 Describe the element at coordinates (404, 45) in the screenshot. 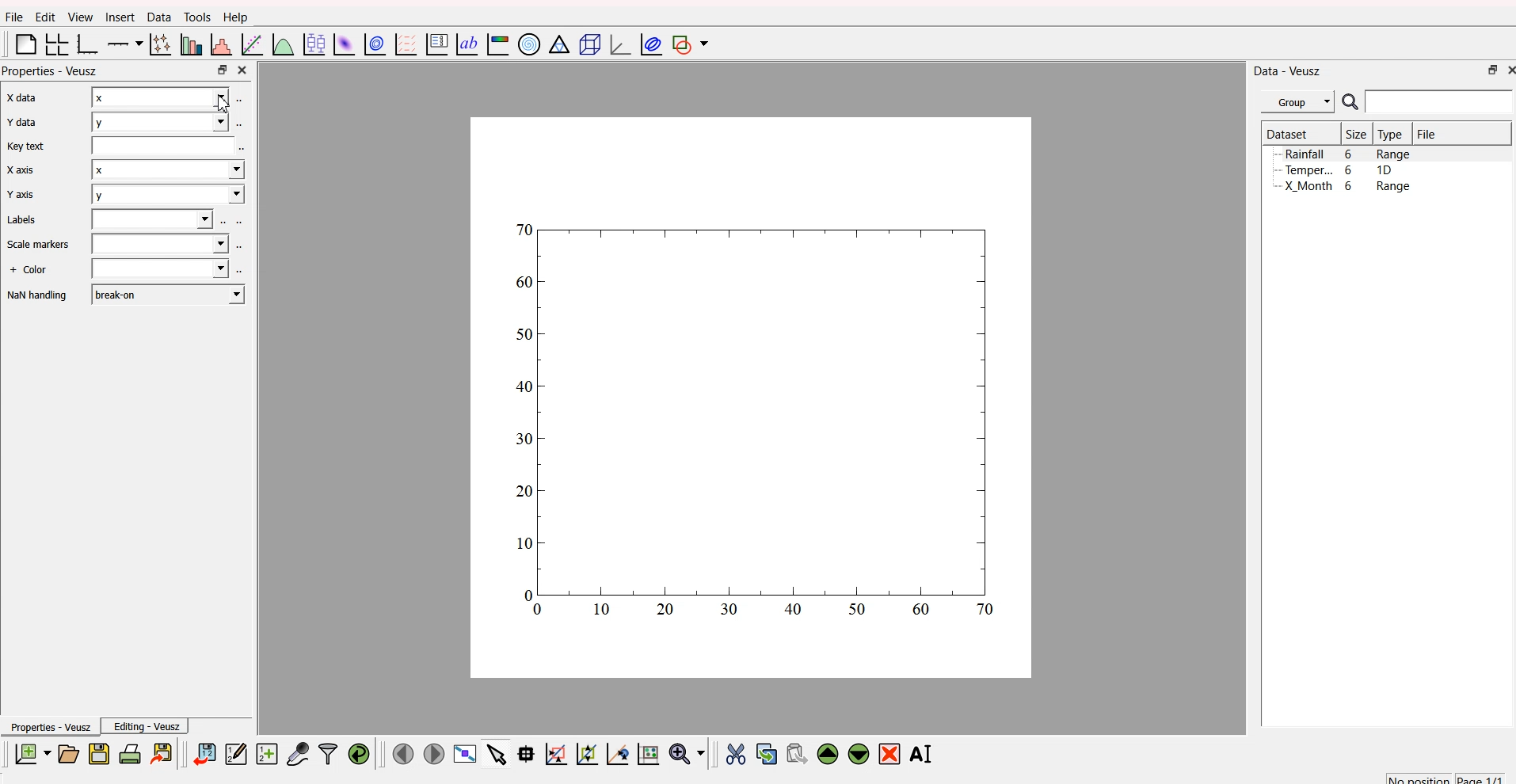

I see `plot a vector field` at that location.